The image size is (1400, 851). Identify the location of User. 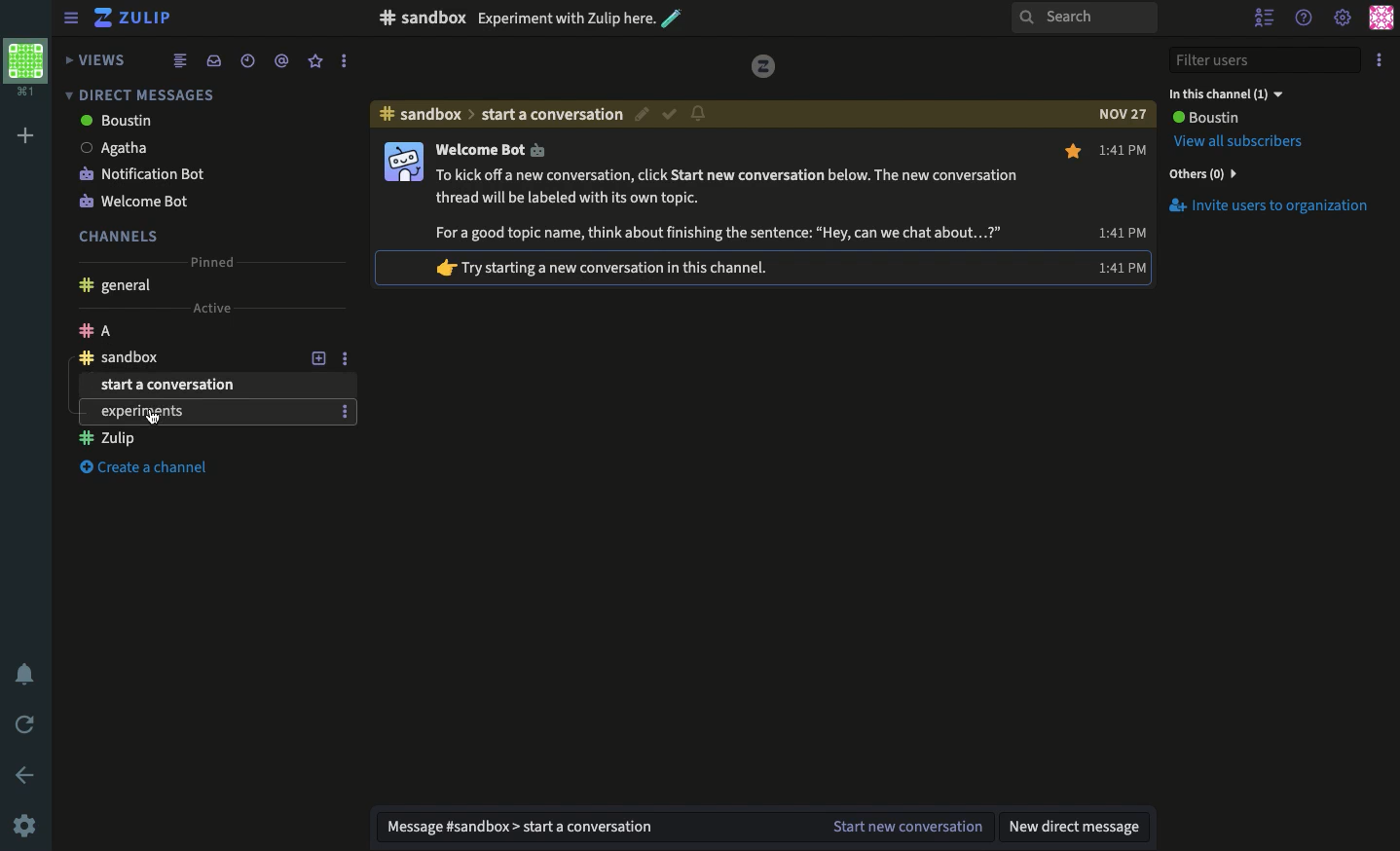
(1204, 118).